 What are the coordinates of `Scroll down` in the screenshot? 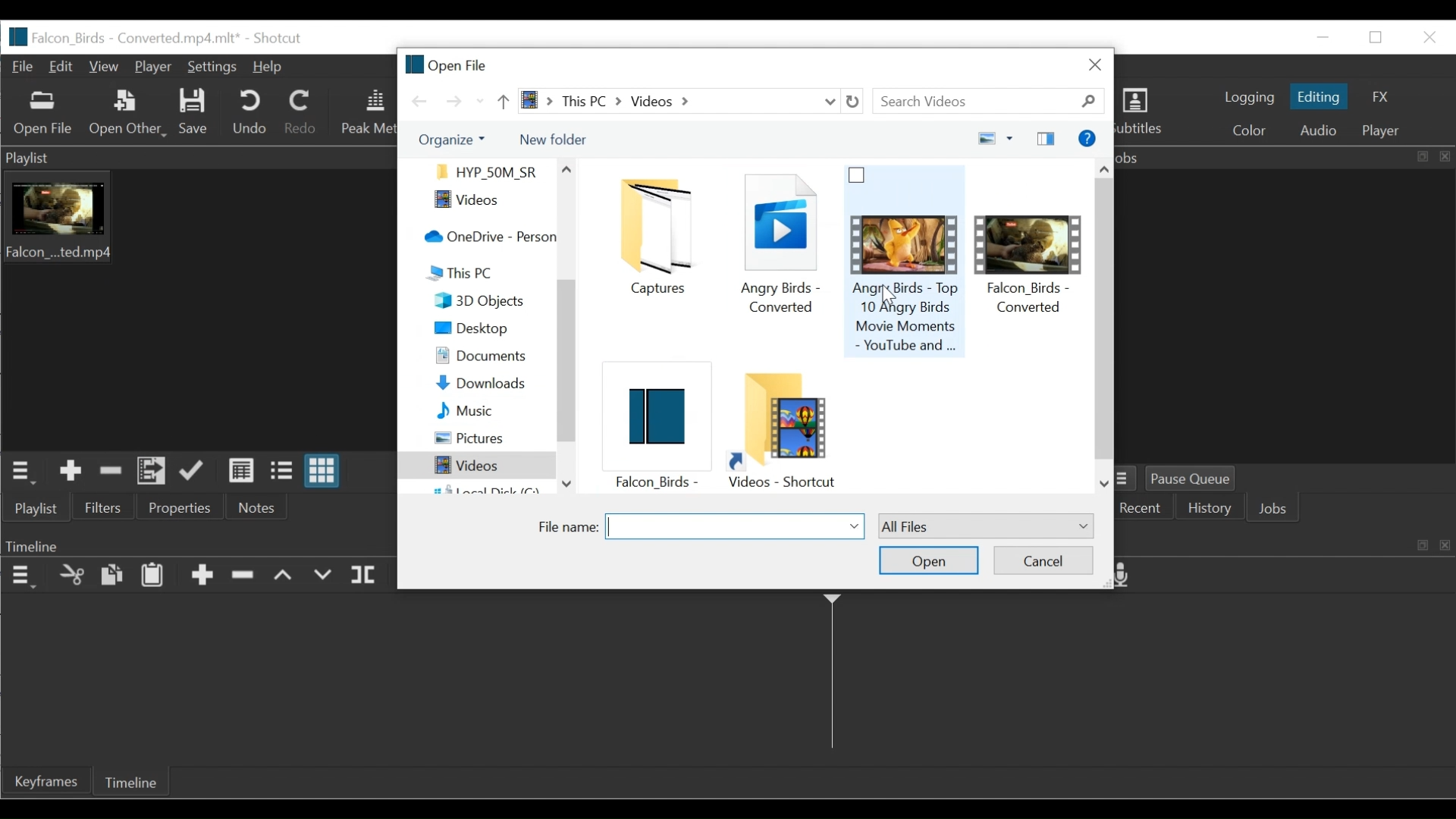 It's located at (565, 483).